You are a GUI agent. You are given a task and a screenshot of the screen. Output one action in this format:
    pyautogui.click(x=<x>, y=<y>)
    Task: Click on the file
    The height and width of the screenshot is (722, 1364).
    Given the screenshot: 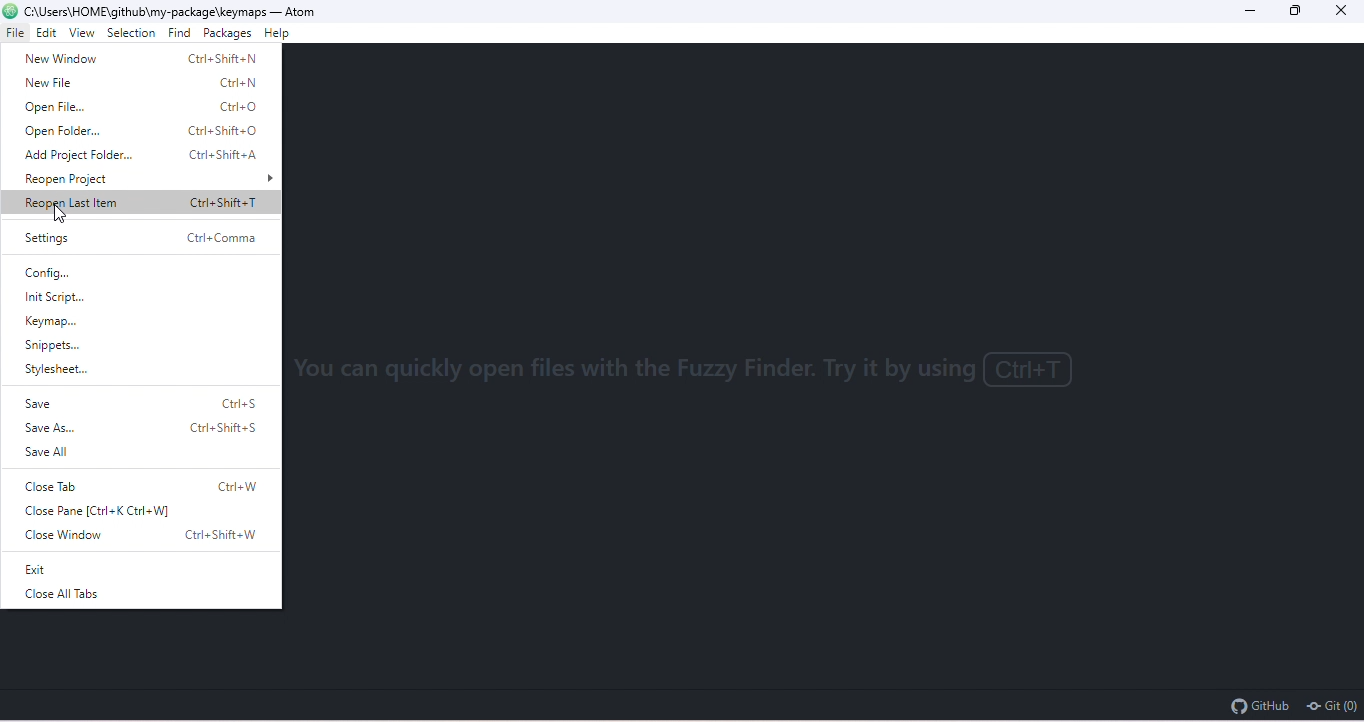 What is the action you would take?
    pyautogui.click(x=14, y=32)
    